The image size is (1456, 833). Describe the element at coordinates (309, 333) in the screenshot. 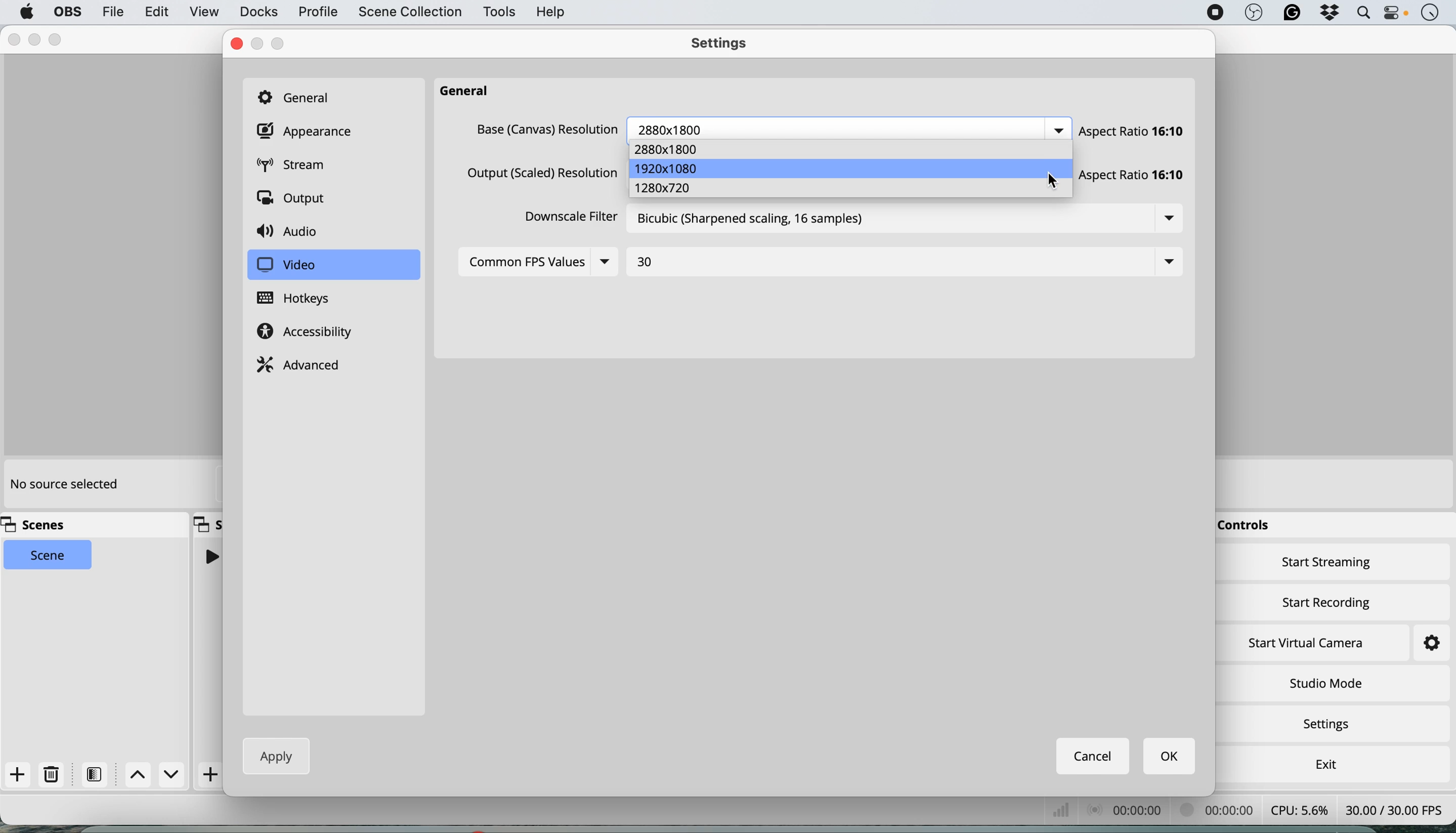

I see `accessibility` at that location.